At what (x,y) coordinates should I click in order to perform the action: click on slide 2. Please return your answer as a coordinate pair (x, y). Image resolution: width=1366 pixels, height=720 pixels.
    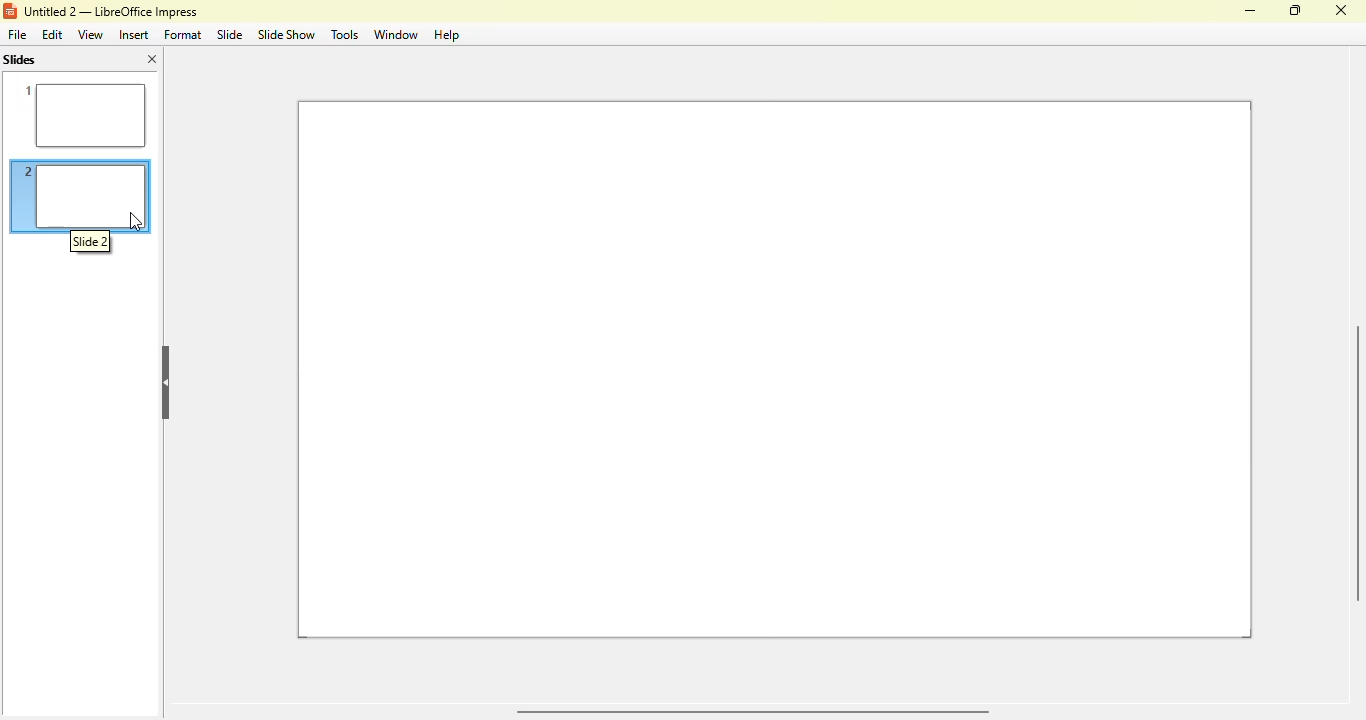
    Looking at the image, I should click on (81, 182).